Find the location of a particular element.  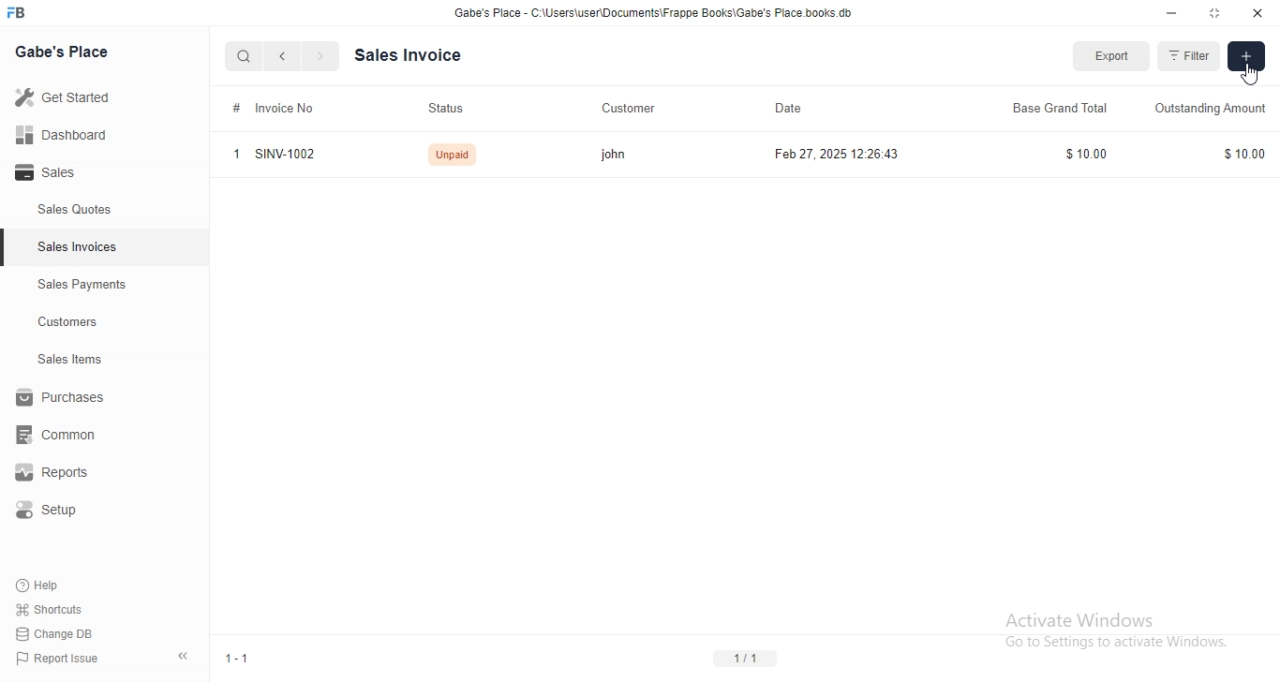

PP Report Issue. is located at coordinates (64, 662).